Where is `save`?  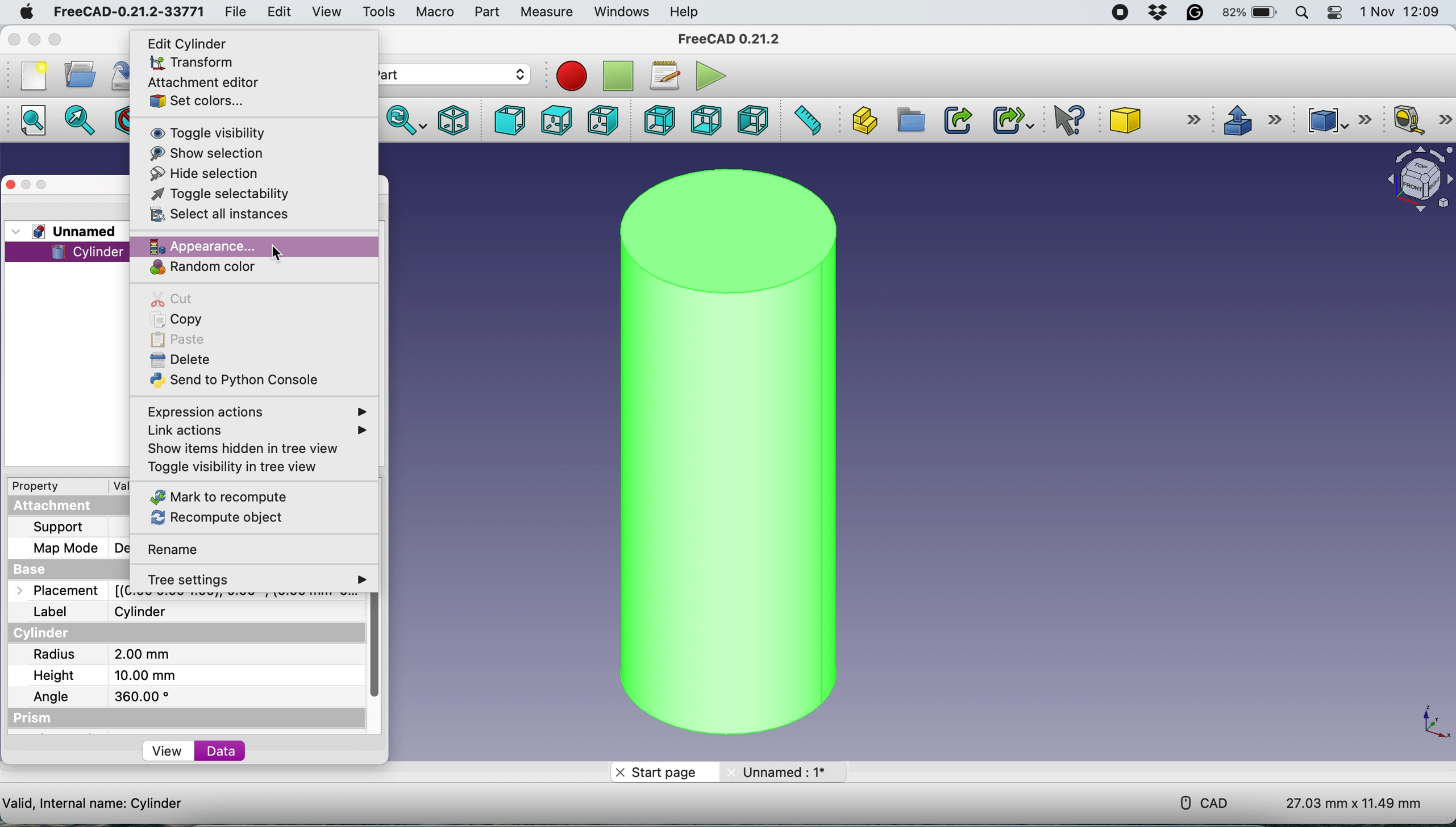 save is located at coordinates (123, 75).